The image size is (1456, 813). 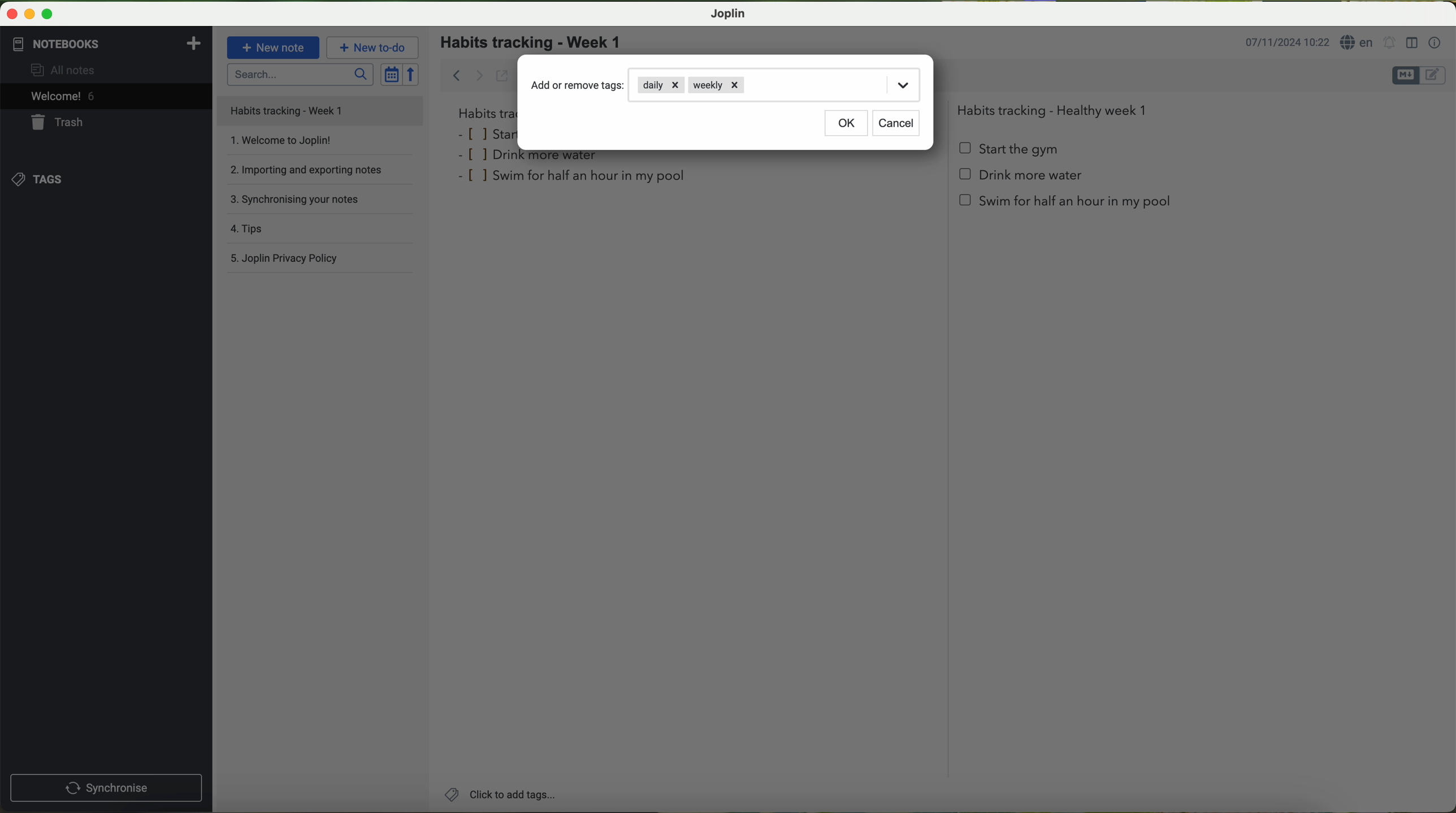 What do you see at coordinates (274, 47) in the screenshot?
I see `new note button` at bounding box center [274, 47].